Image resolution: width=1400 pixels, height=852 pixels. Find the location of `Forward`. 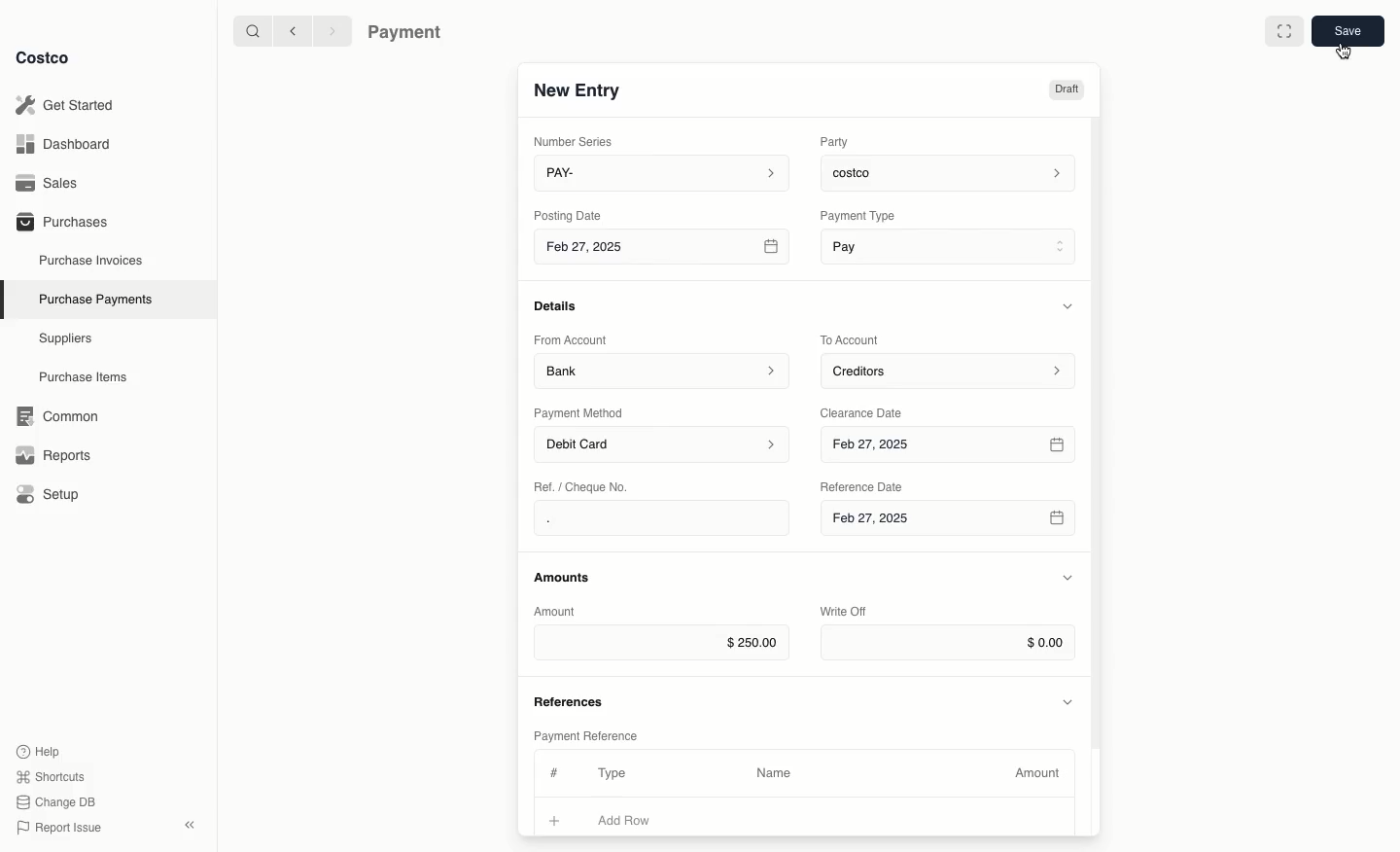

Forward is located at coordinates (331, 30).